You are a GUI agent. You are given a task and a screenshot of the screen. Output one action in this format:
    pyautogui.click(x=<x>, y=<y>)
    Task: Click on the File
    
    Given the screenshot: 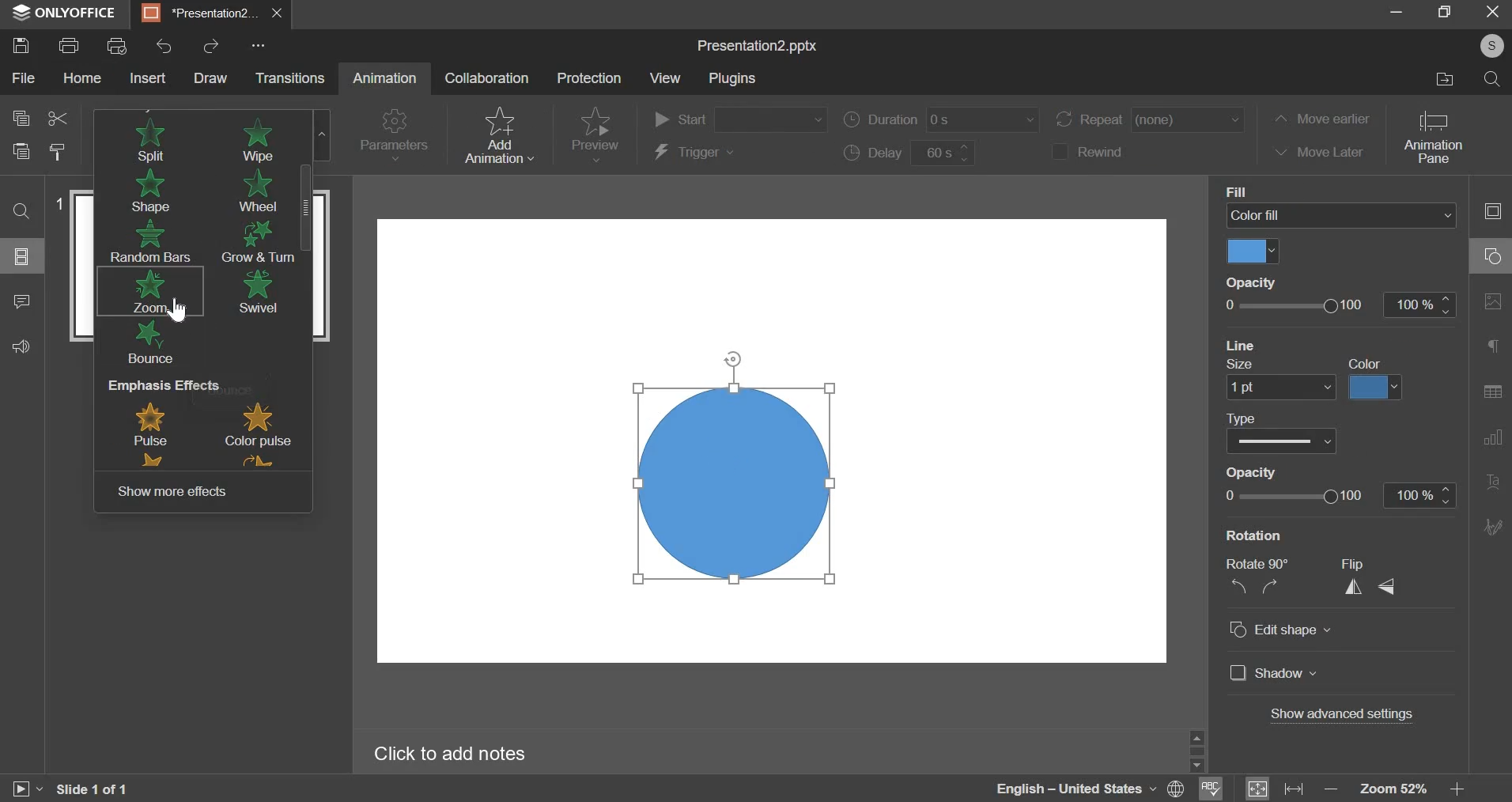 What is the action you would take?
    pyautogui.click(x=22, y=78)
    